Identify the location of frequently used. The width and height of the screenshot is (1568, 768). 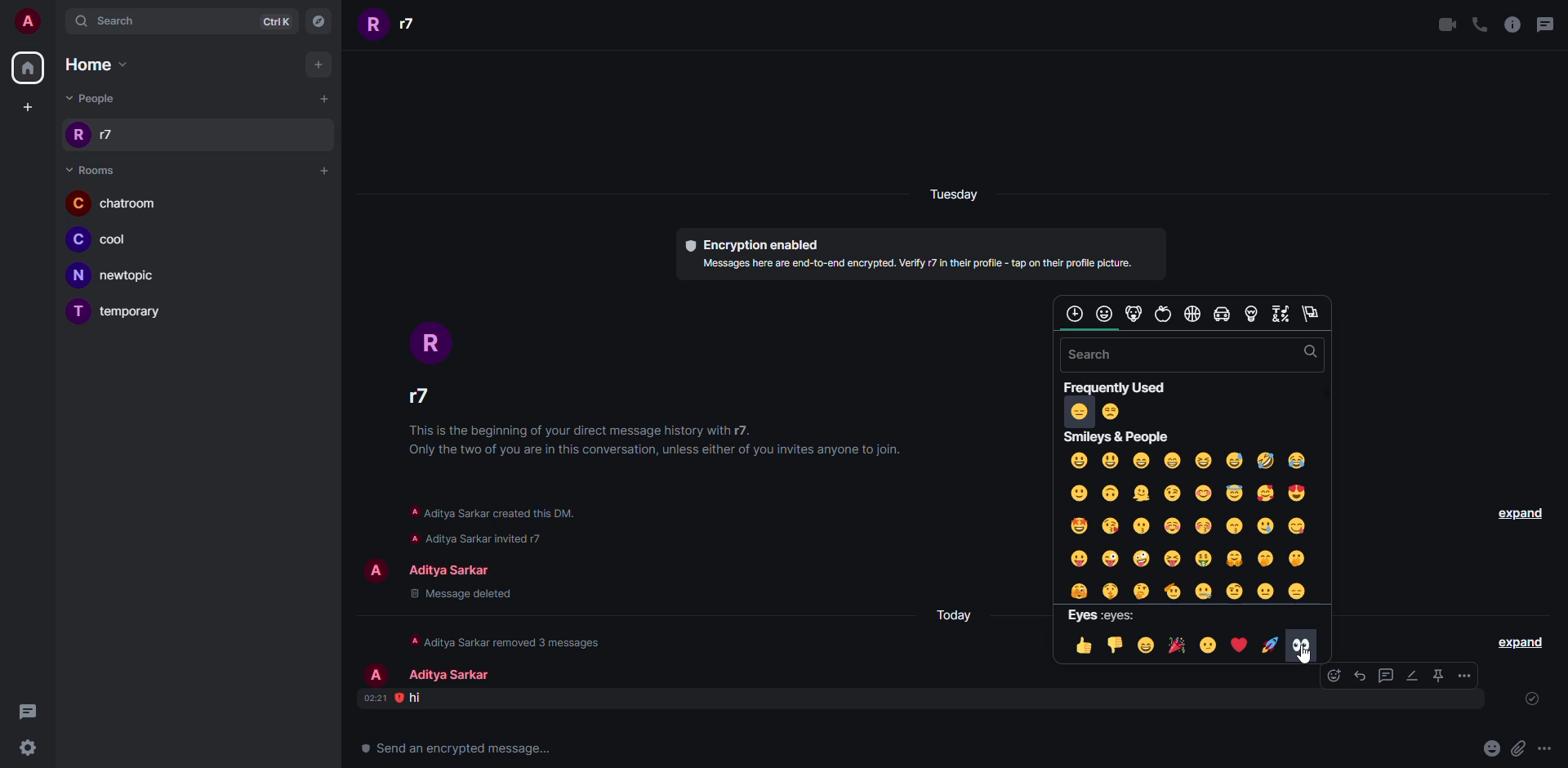
(1119, 387).